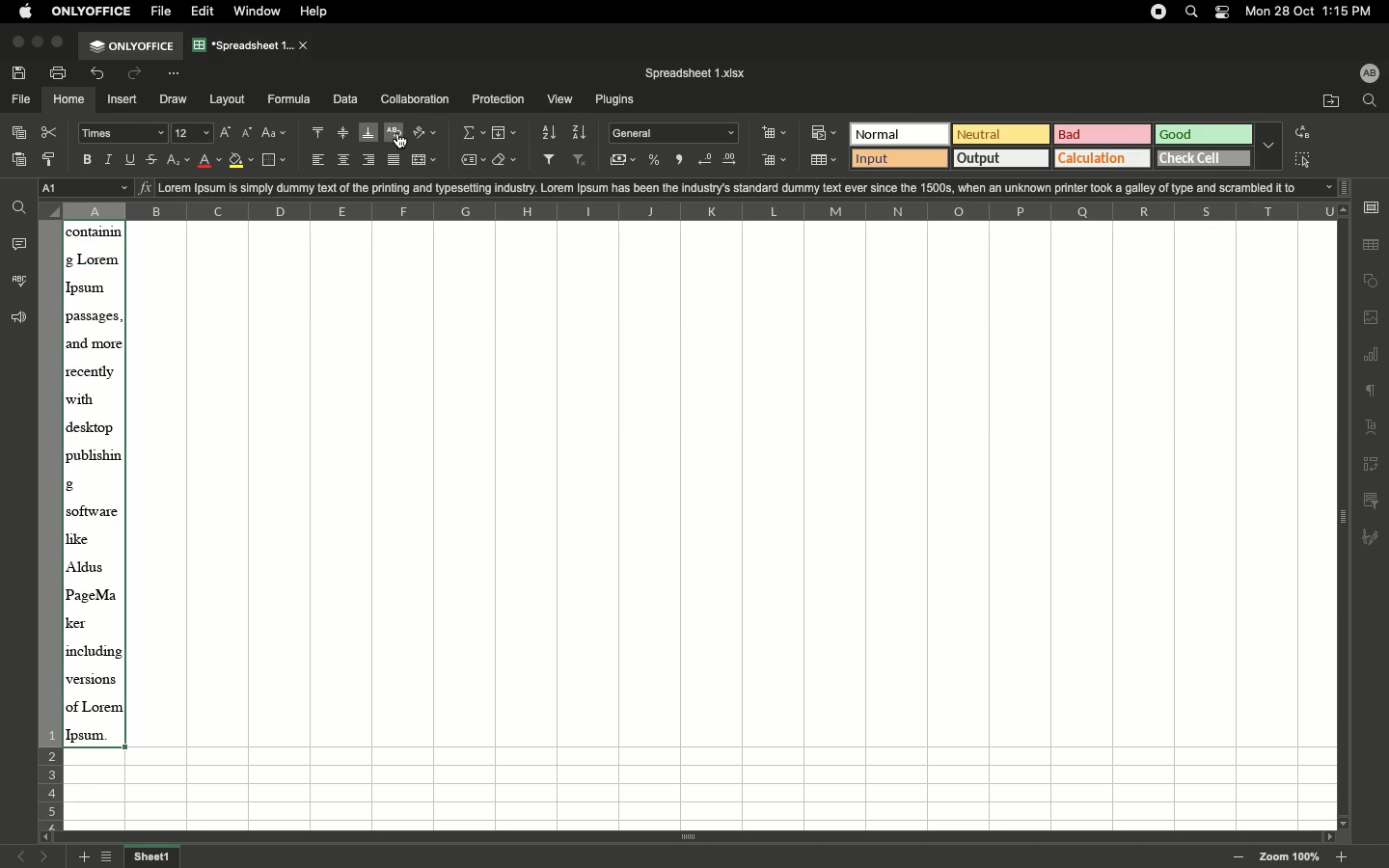 The width and height of the screenshot is (1389, 868). I want to click on Feedback & support, so click(15, 318).